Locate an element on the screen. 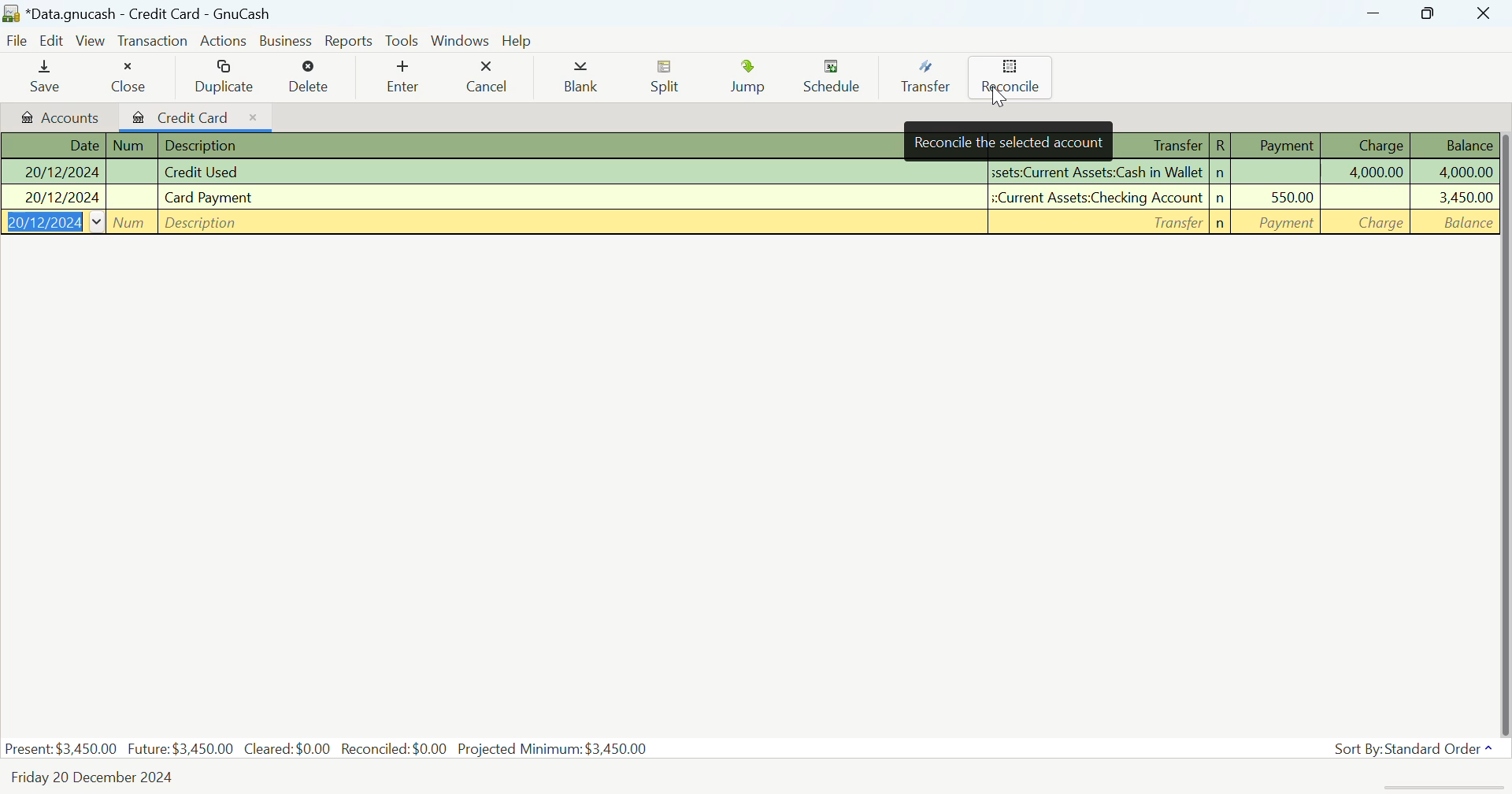 The image size is (1512, 794). Jump is located at coordinates (748, 79).